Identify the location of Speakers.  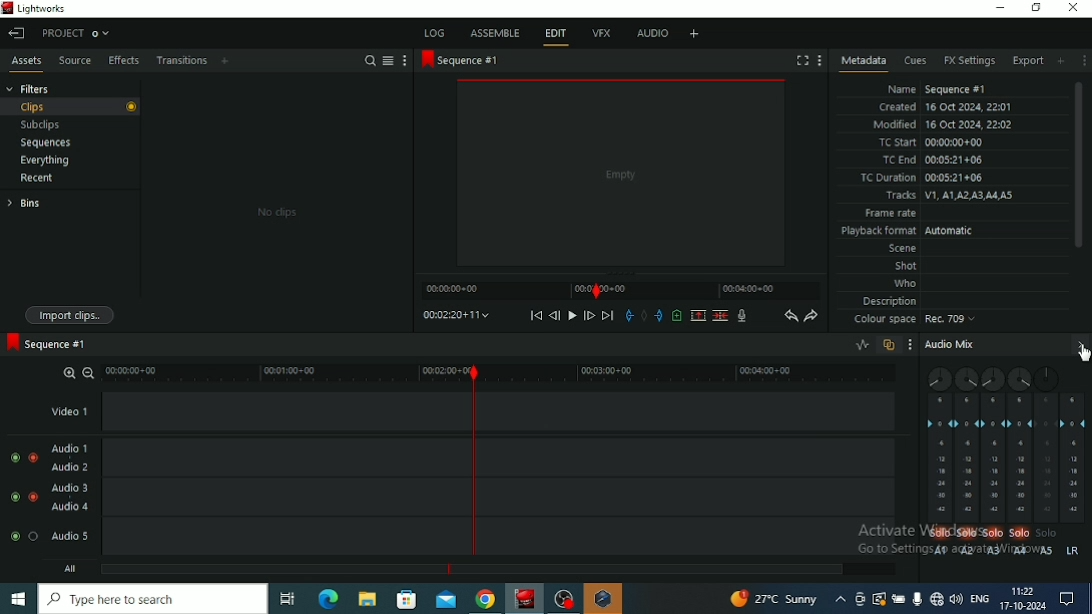
(957, 599).